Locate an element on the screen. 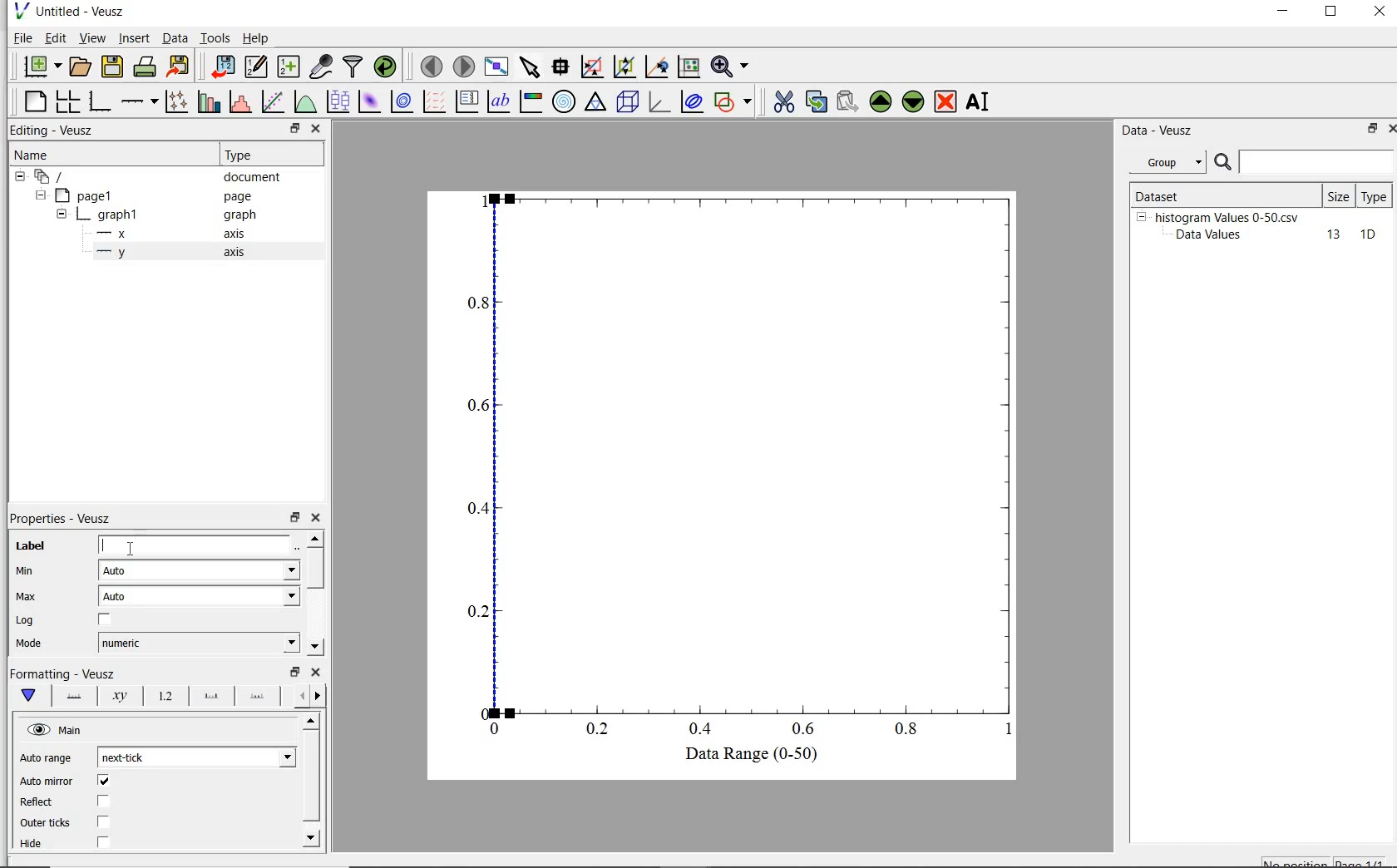 The height and width of the screenshot is (868, 1397).  Auto range is located at coordinates (47, 759).